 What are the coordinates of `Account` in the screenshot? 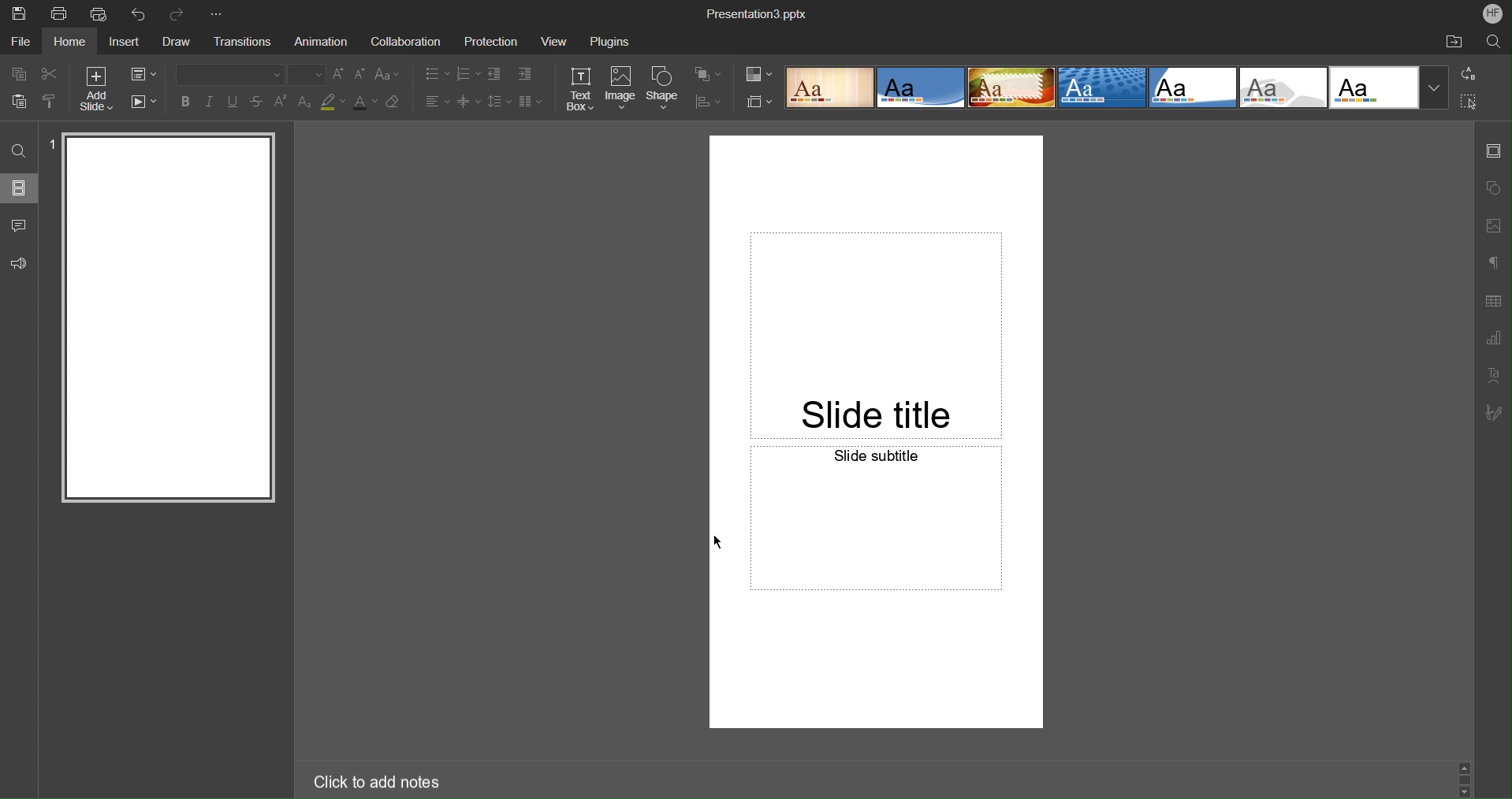 It's located at (1493, 13).